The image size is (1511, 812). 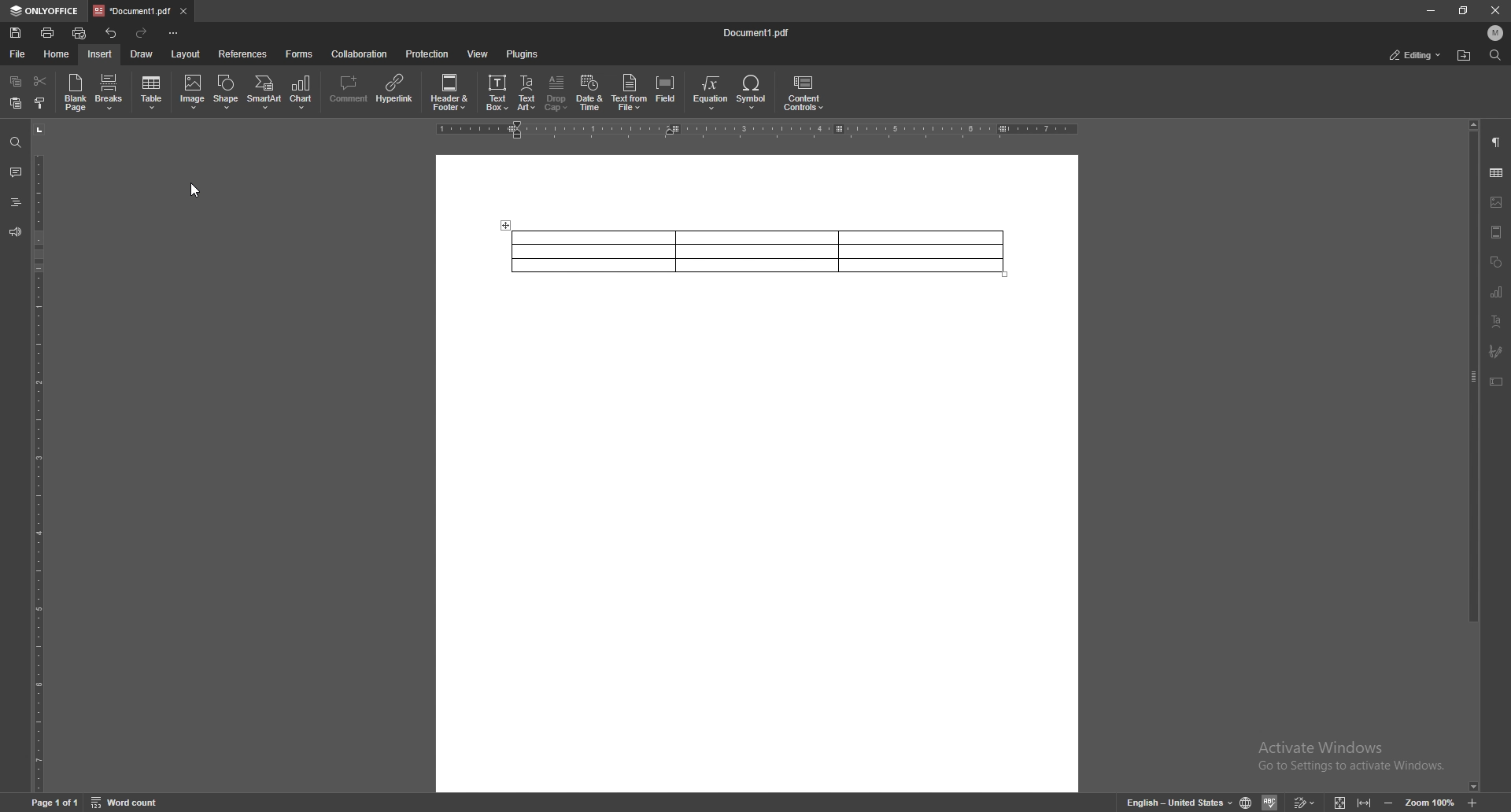 What do you see at coordinates (41, 105) in the screenshot?
I see `copy style` at bounding box center [41, 105].